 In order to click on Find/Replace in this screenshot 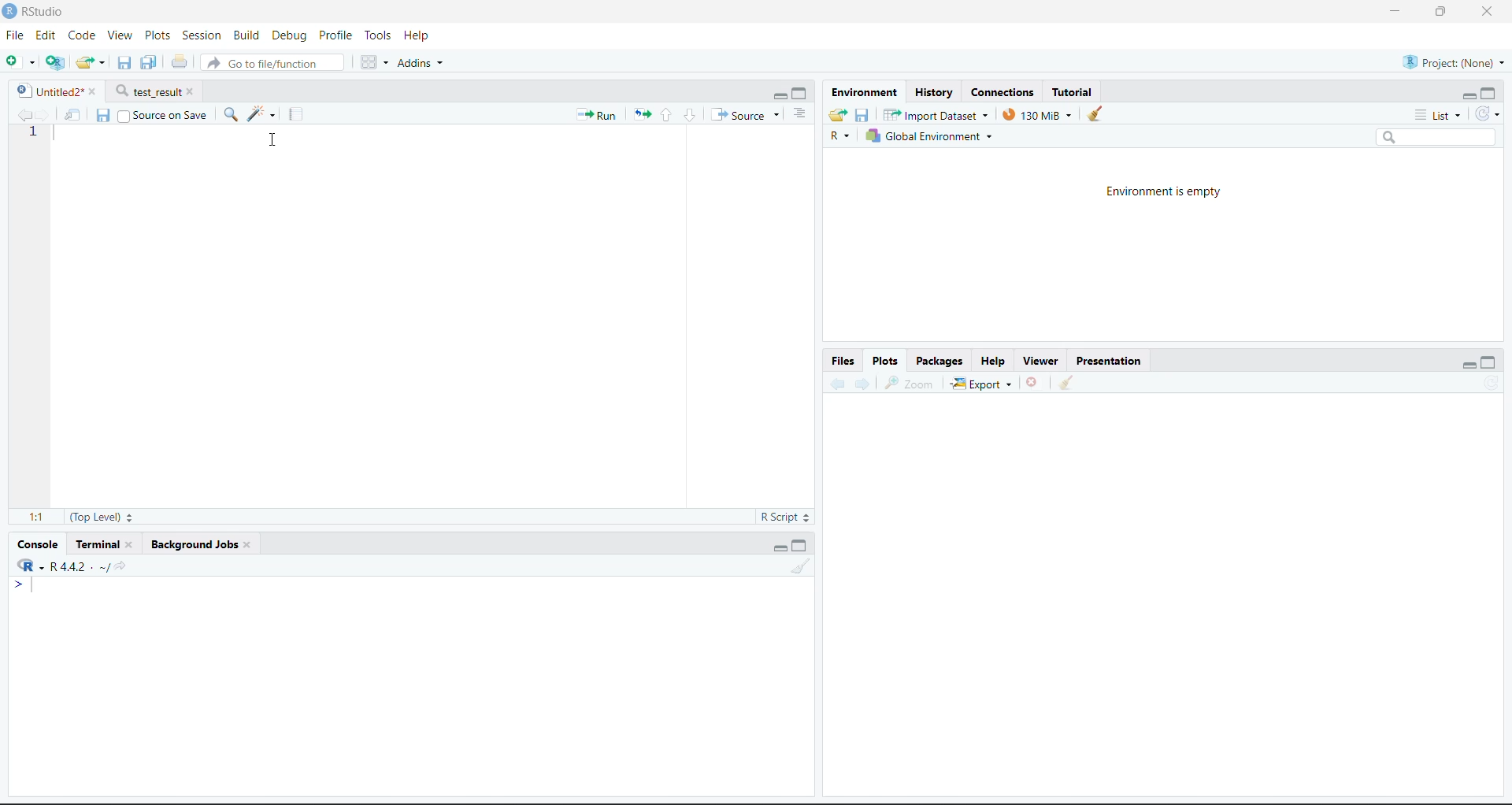, I will do `click(232, 111)`.